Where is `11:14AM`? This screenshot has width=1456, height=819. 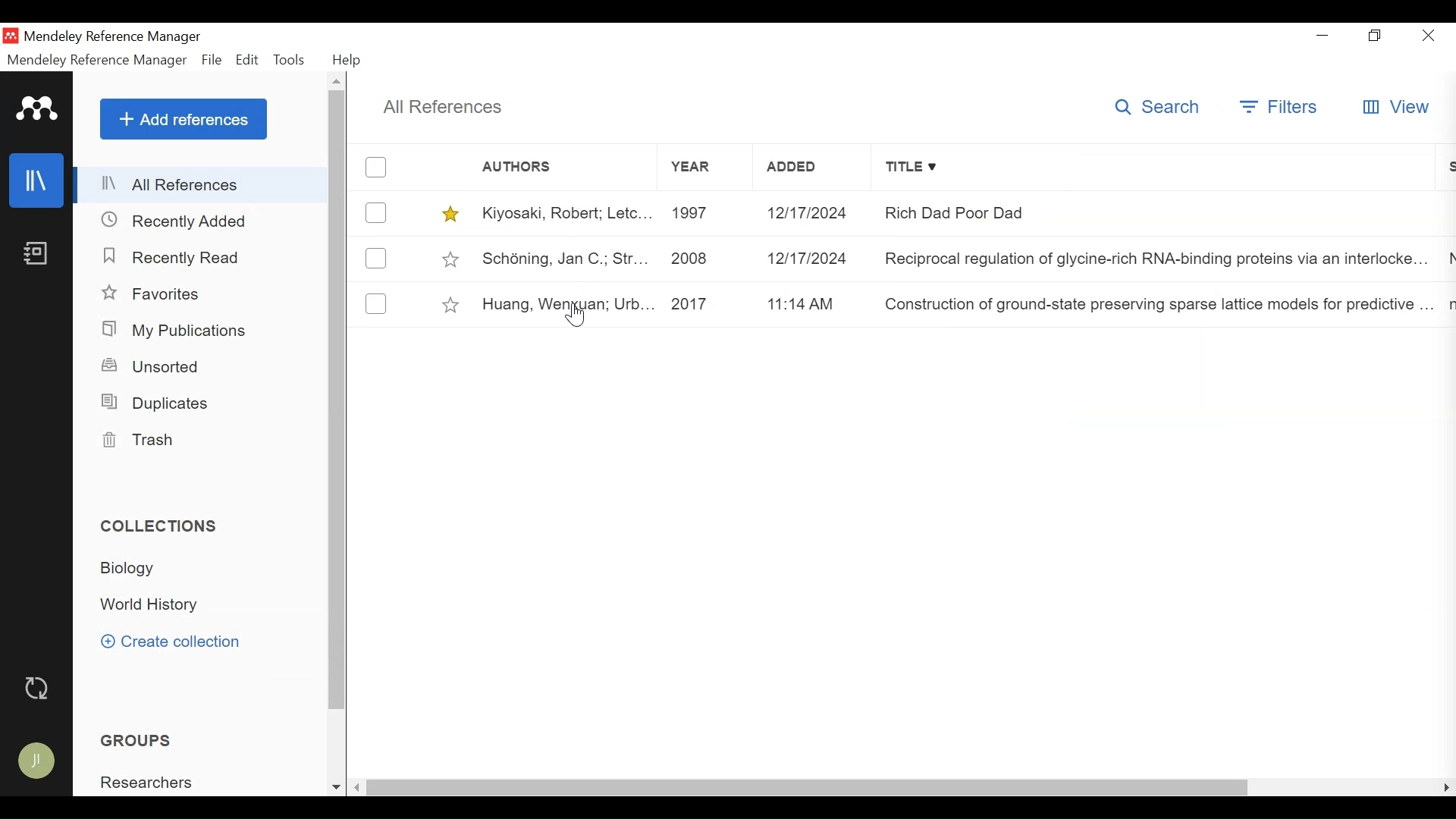
11:14AM is located at coordinates (813, 303).